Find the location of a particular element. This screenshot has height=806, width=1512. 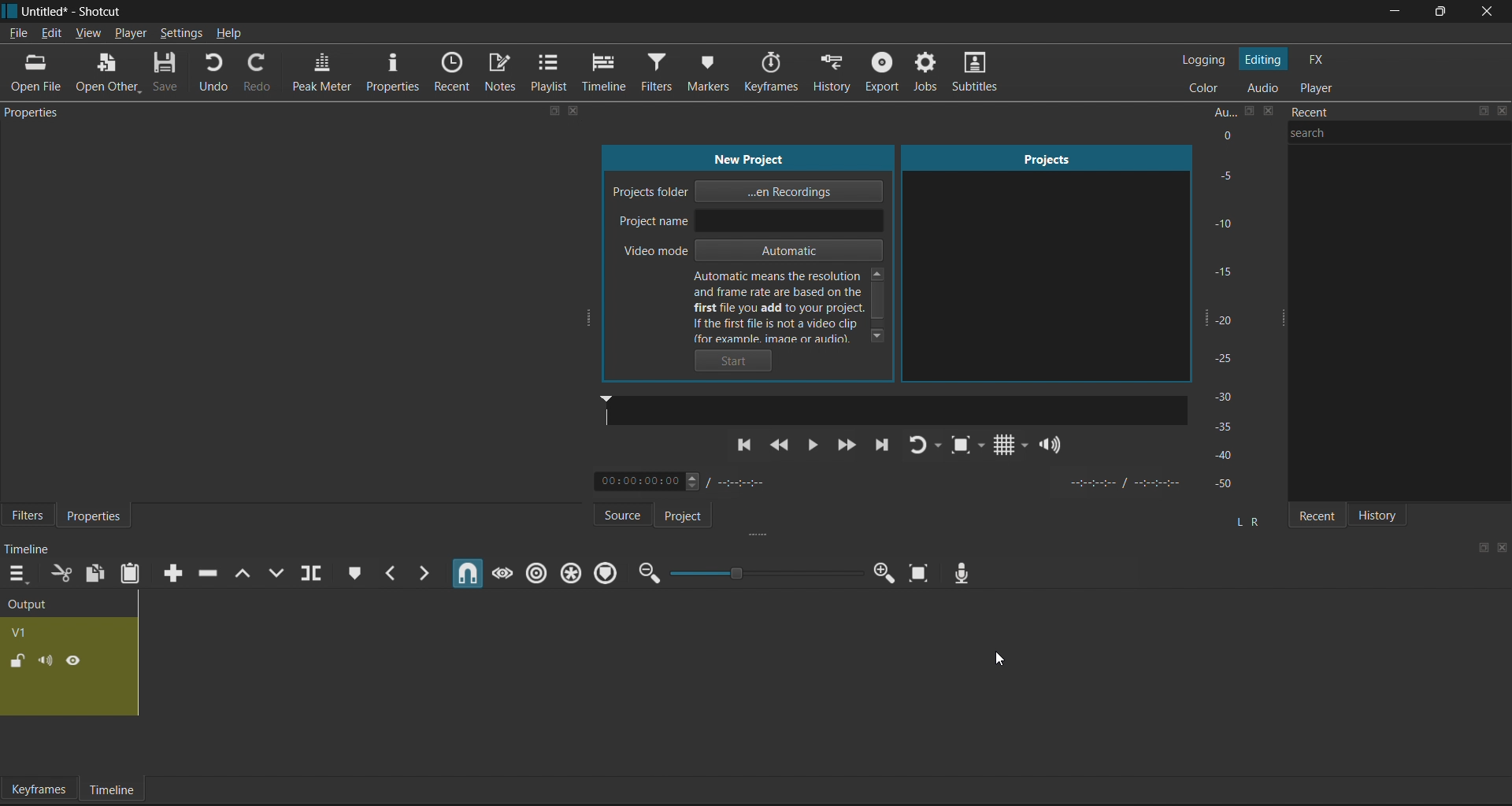

Audio Peak Meter is located at coordinates (1237, 300).